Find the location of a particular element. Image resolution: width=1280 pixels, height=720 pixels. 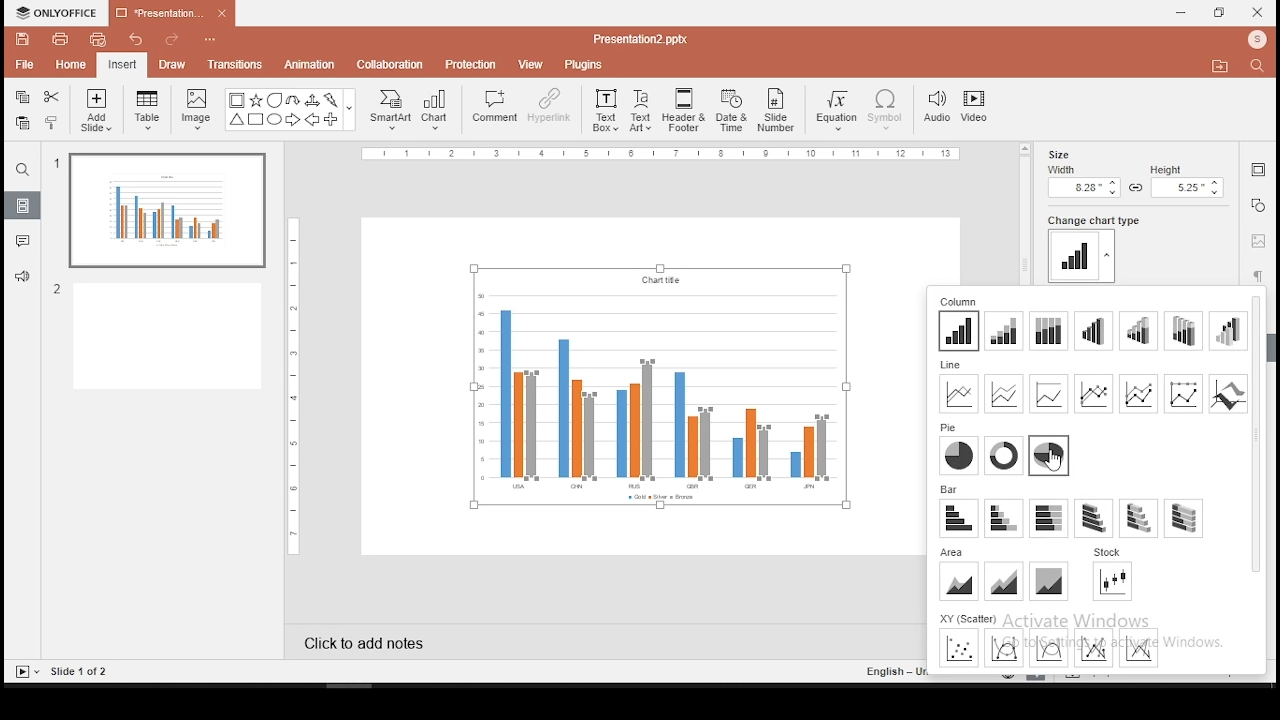

line 5 is located at coordinates (1139, 394).